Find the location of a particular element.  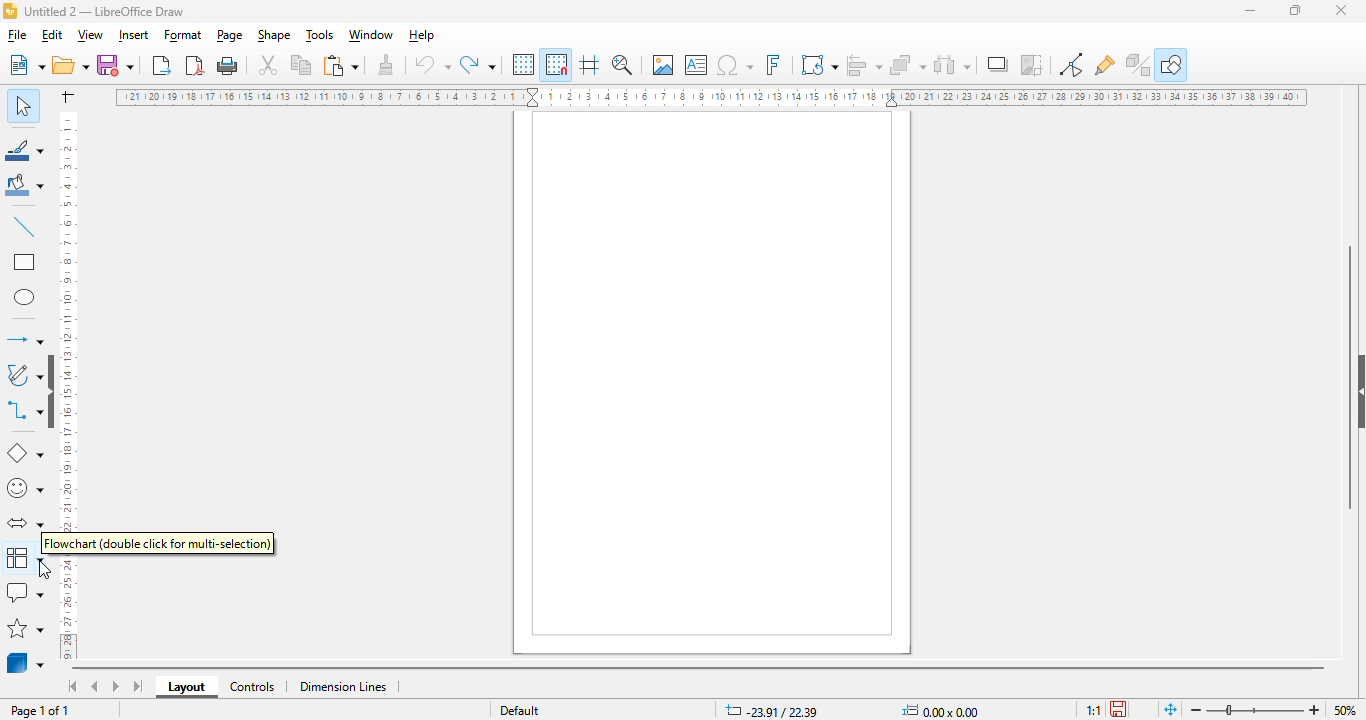

copy is located at coordinates (302, 65).